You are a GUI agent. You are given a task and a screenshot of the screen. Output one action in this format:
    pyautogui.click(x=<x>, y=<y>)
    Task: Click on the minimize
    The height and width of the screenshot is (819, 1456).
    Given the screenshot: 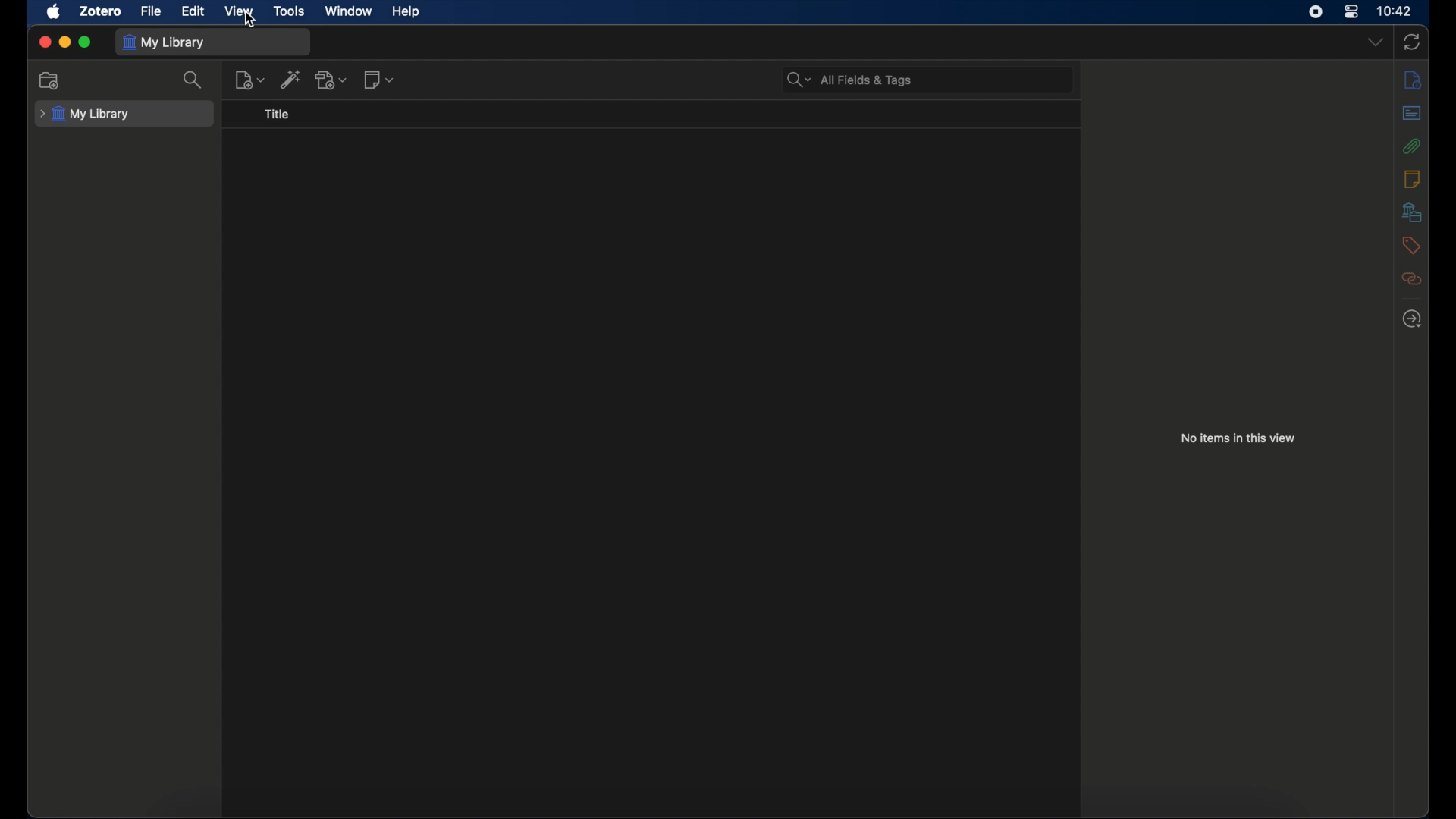 What is the action you would take?
    pyautogui.click(x=64, y=42)
    